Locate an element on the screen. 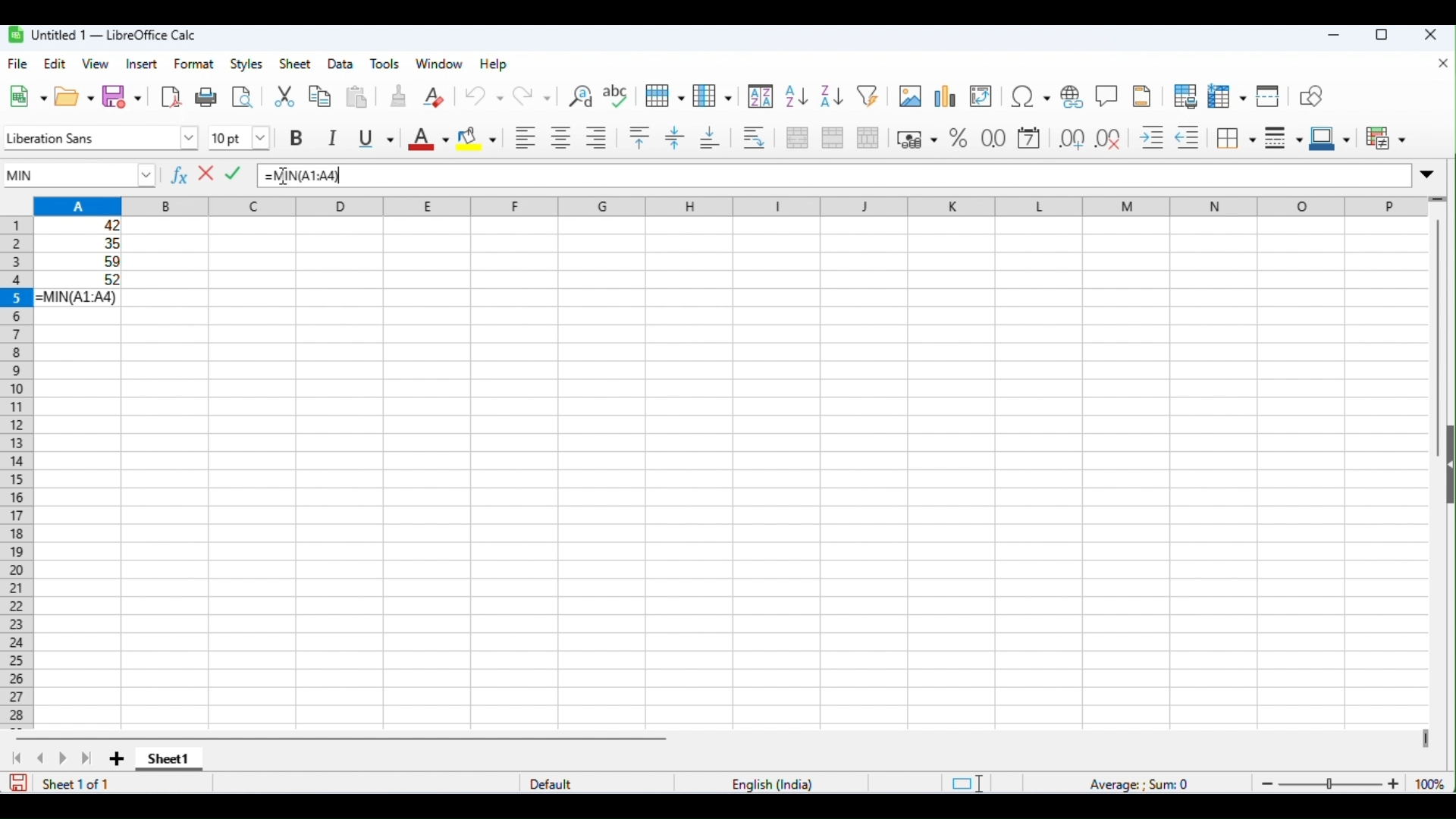 The width and height of the screenshot is (1456, 819). edit is located at coordinates (56, 65).